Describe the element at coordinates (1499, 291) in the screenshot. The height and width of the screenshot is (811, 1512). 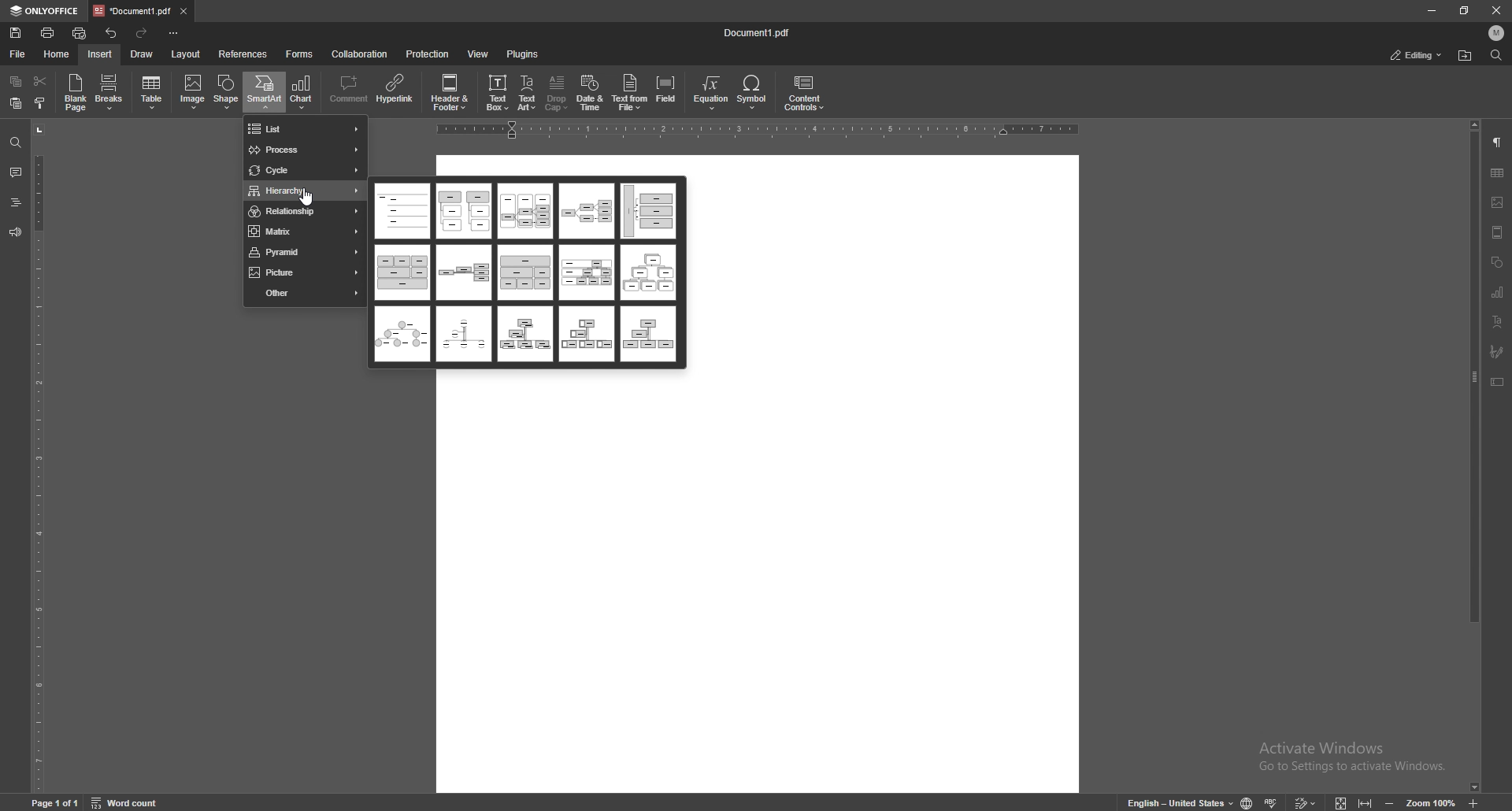
I see `chart` at that location.